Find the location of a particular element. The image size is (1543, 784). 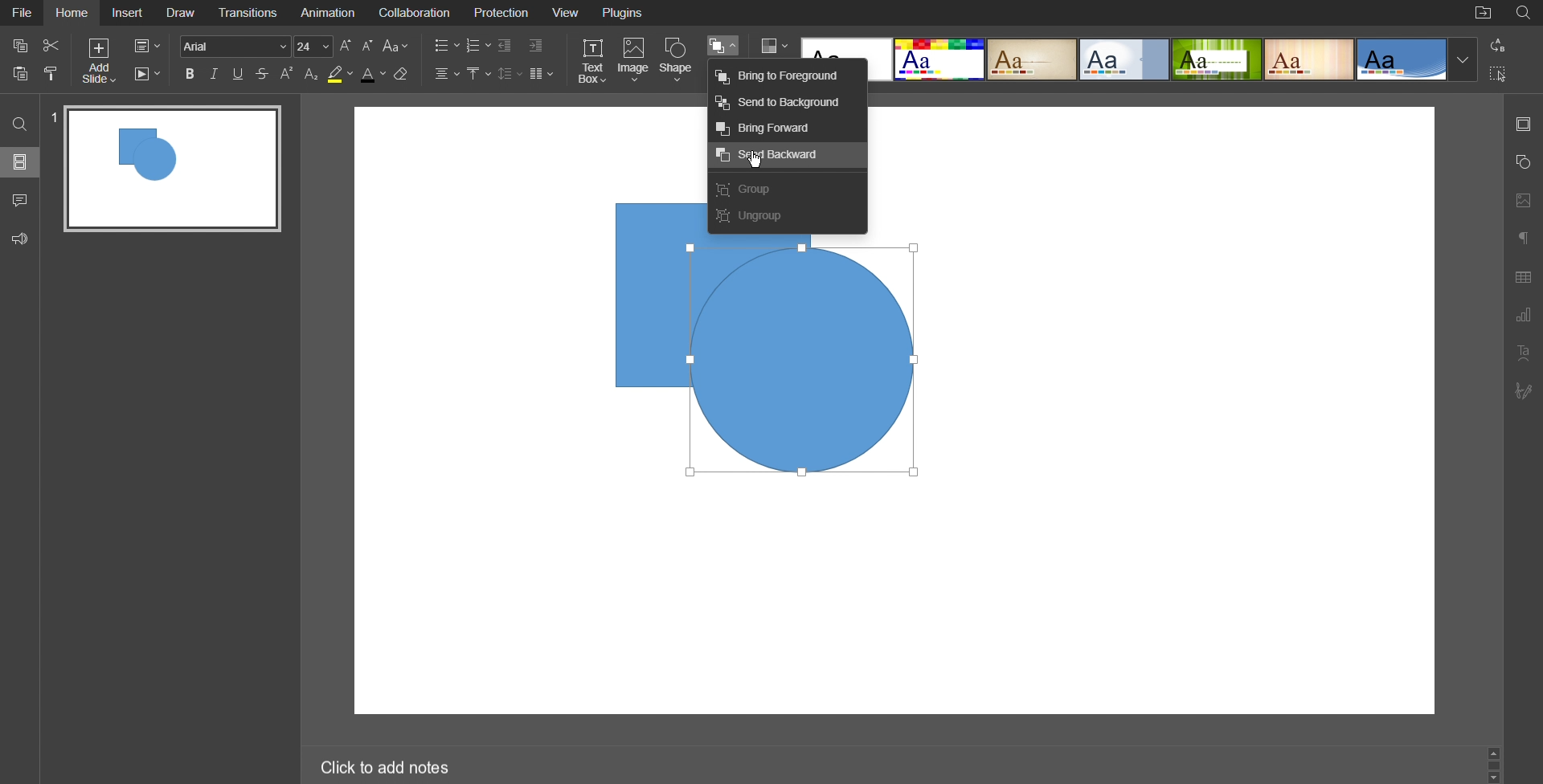

Increase Font is located at coordinates (346, 45).